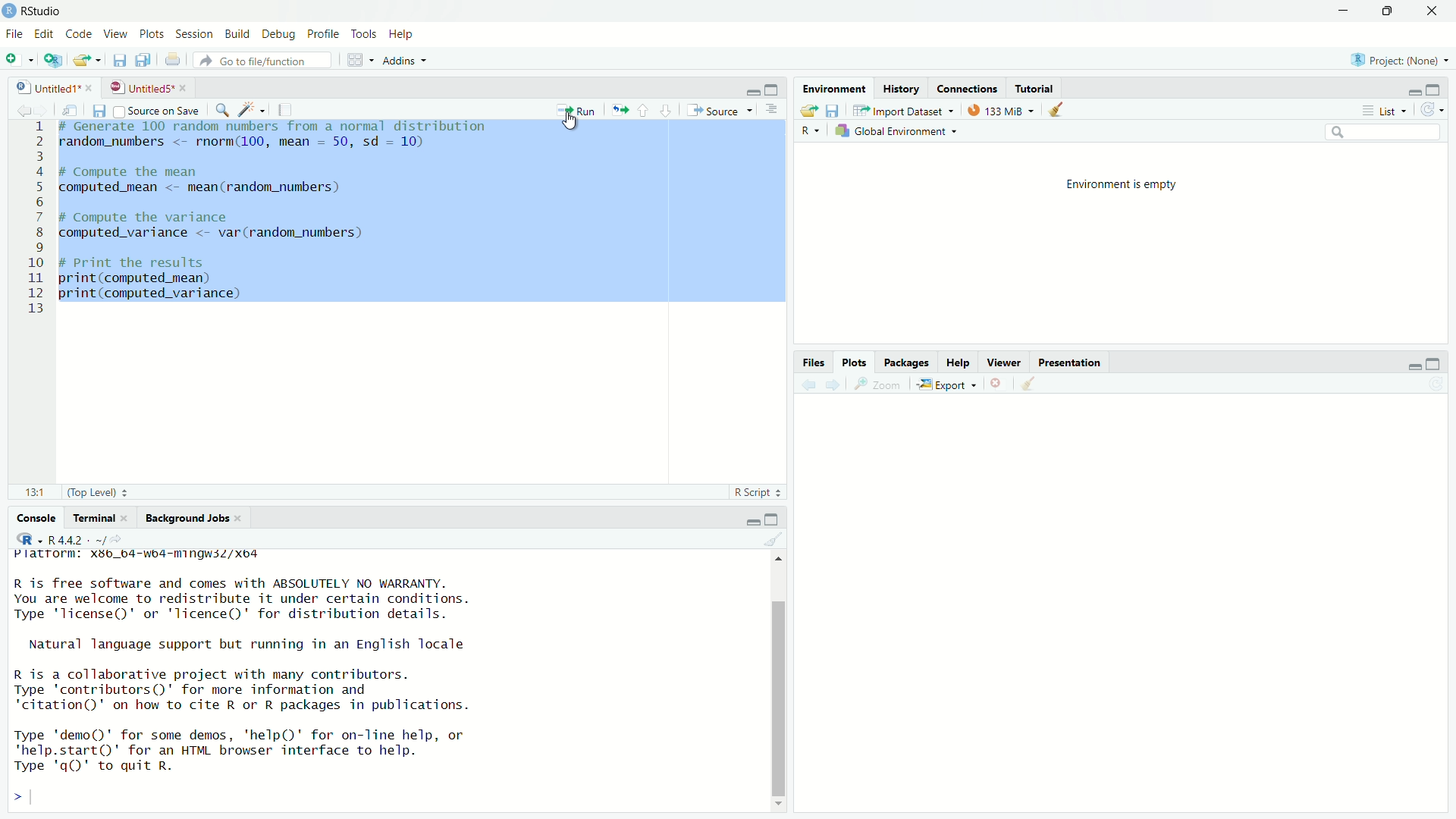 This screenshot has height=819, width=1456. Describe the element at coordinates (808, 110) in the screenshot. I see `load workspace` at that location.